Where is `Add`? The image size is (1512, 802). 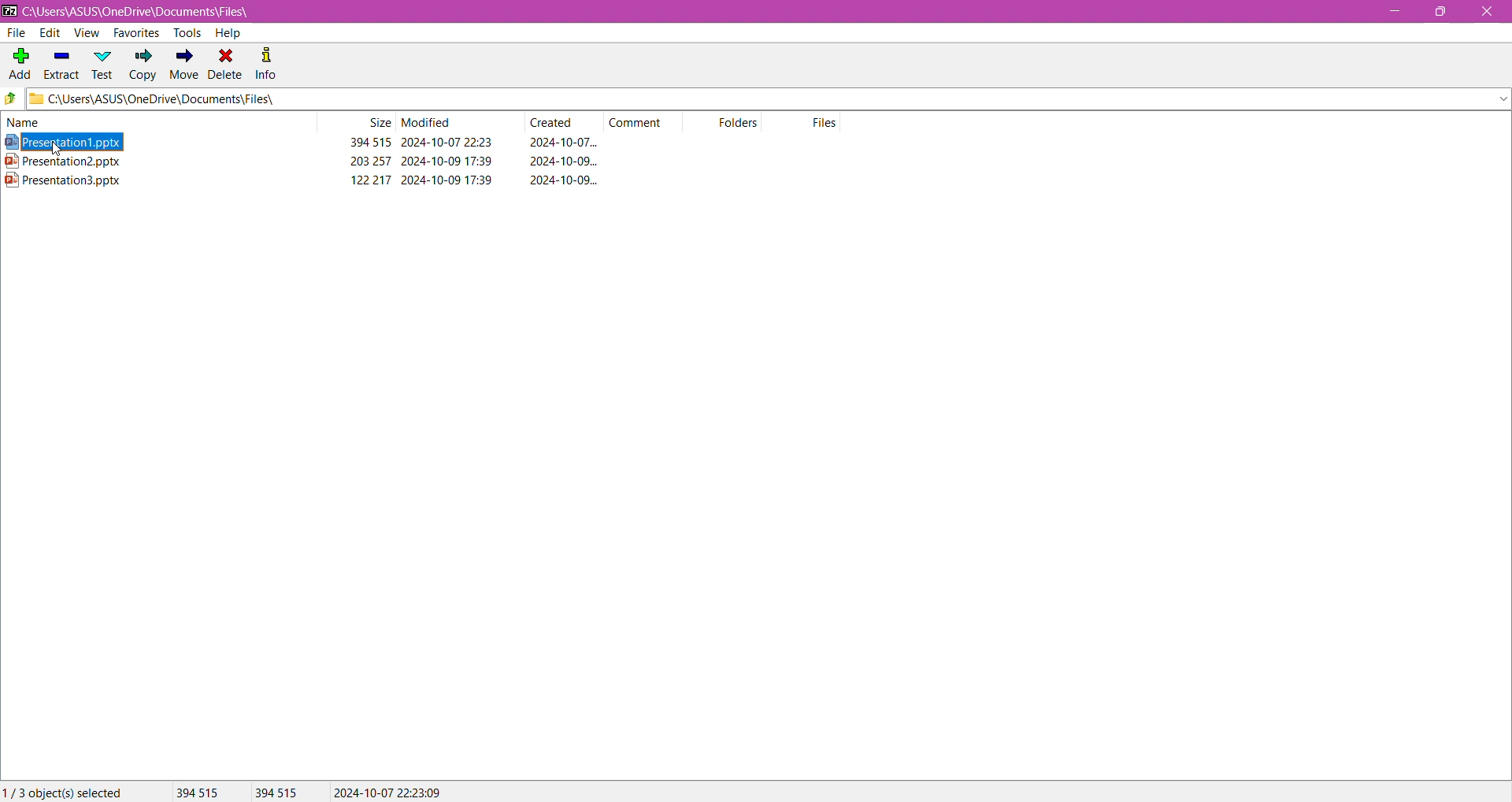
Add is located at coordinates (19, 59).